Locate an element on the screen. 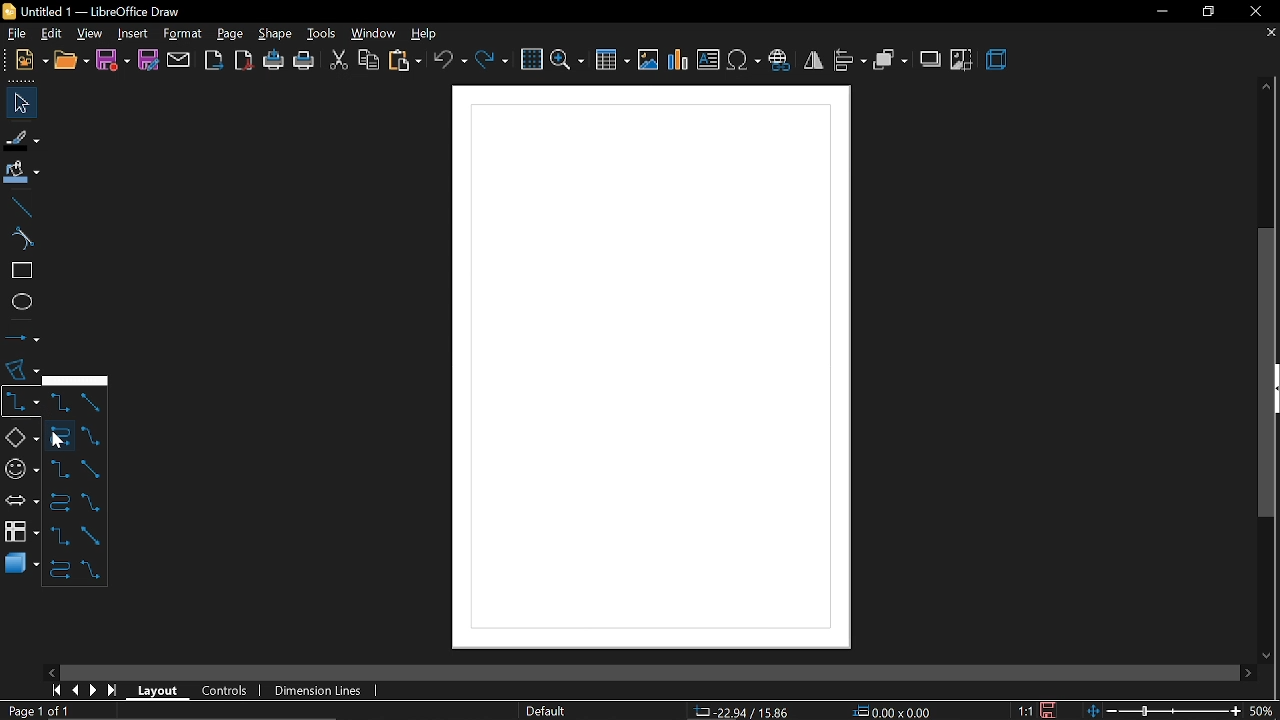 This screenshot has width=1280, height=720. line connector with arrow is located at coordinates (58, 471).